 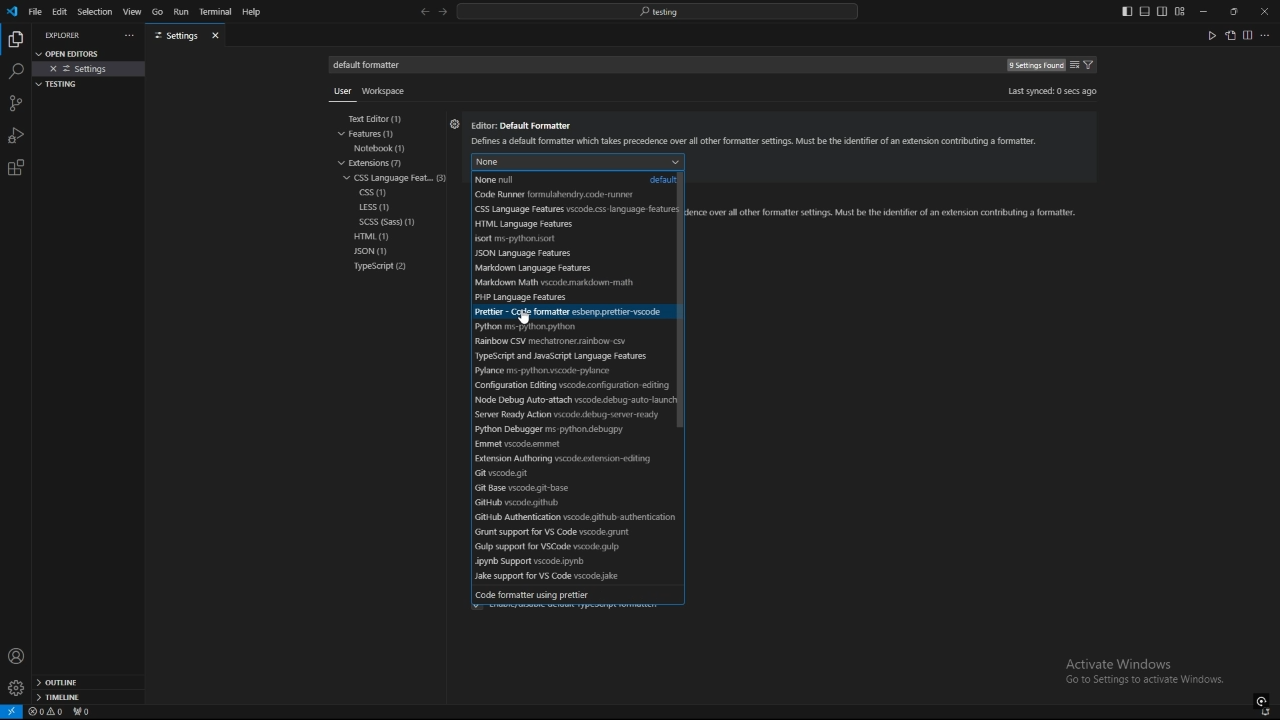 What do you see at coordinates (443, 13) in the screenshot?
I see `forward` at bounding box center [443, 13].